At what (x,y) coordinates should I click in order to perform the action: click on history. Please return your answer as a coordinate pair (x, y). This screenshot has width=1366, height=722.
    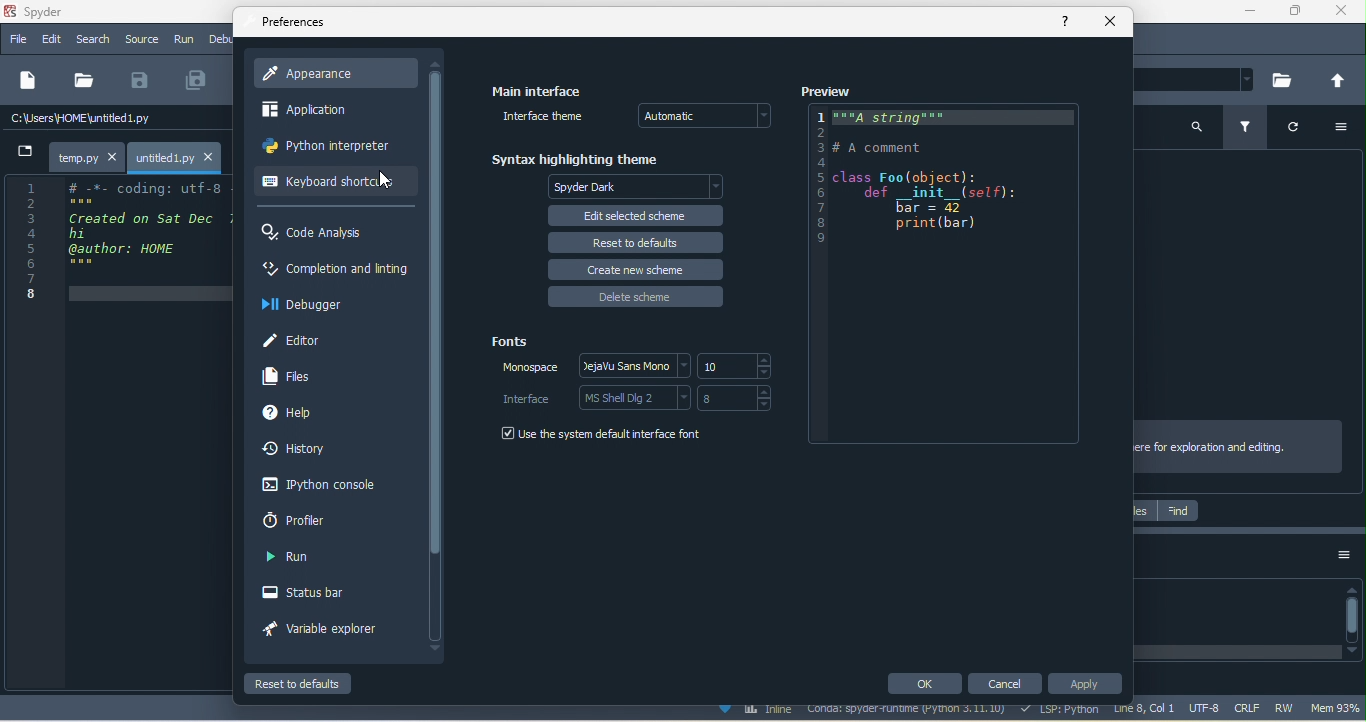
    Looking at the image, I should click on (301, 451).